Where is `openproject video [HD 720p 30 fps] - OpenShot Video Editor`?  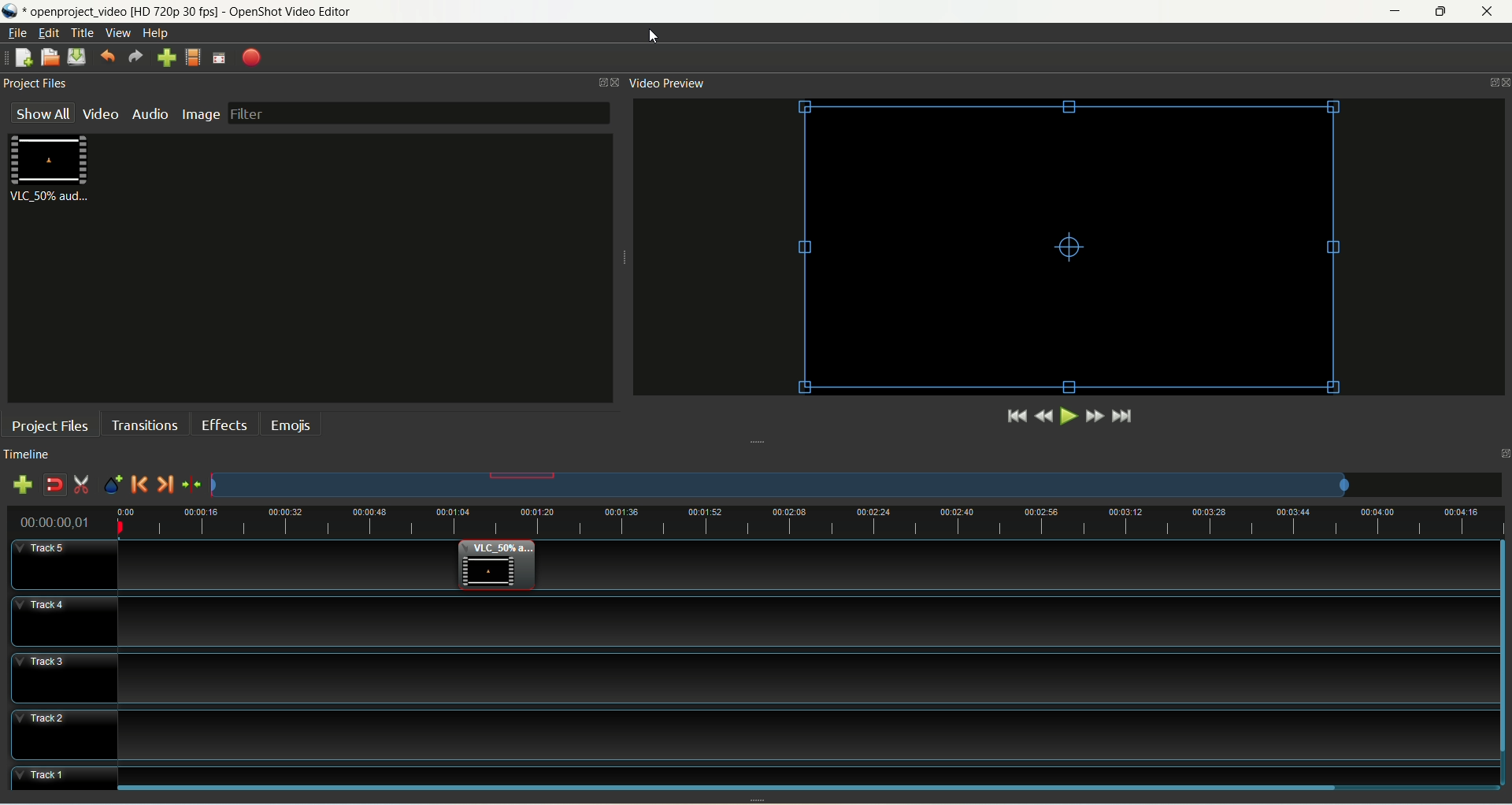 openproject video [HD 720p 30 fps] - OpenShot Video Editor is located at coordinates (233, 9).